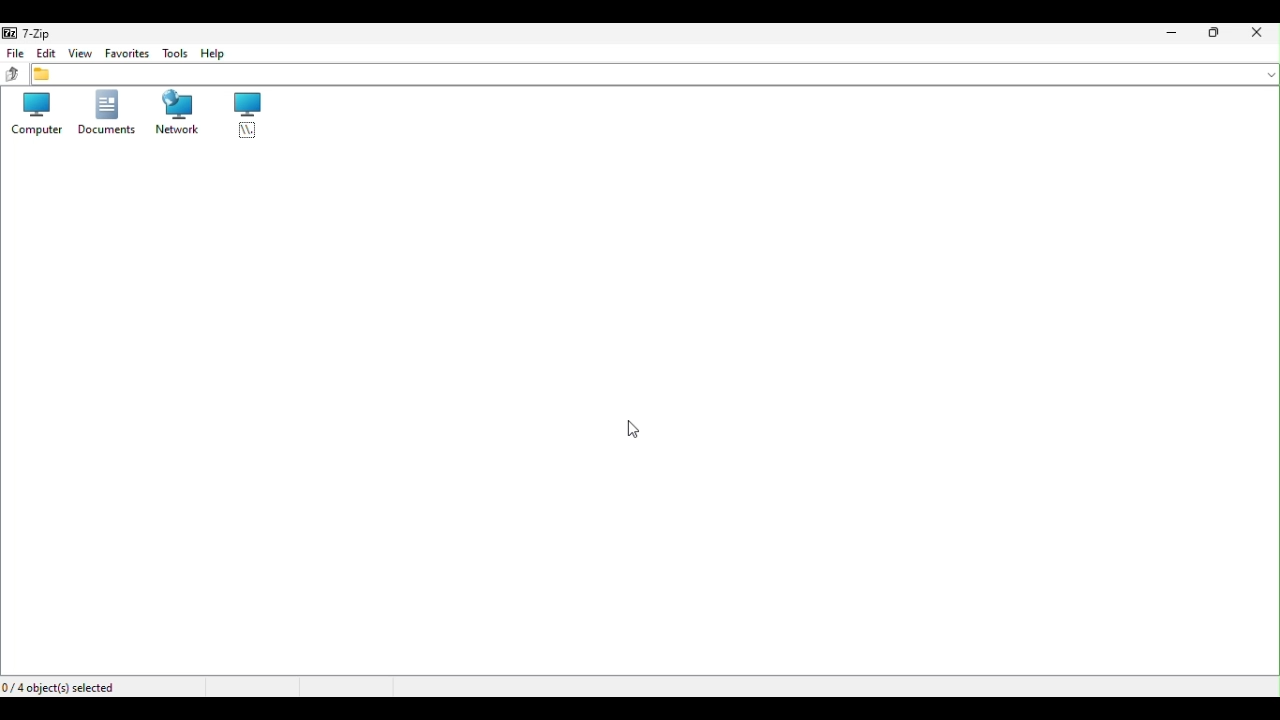 This screenshot has height=720, width=1280. Describe the element at coordinates (30, 32) in the screenshot. I see `7 zip` at that location.